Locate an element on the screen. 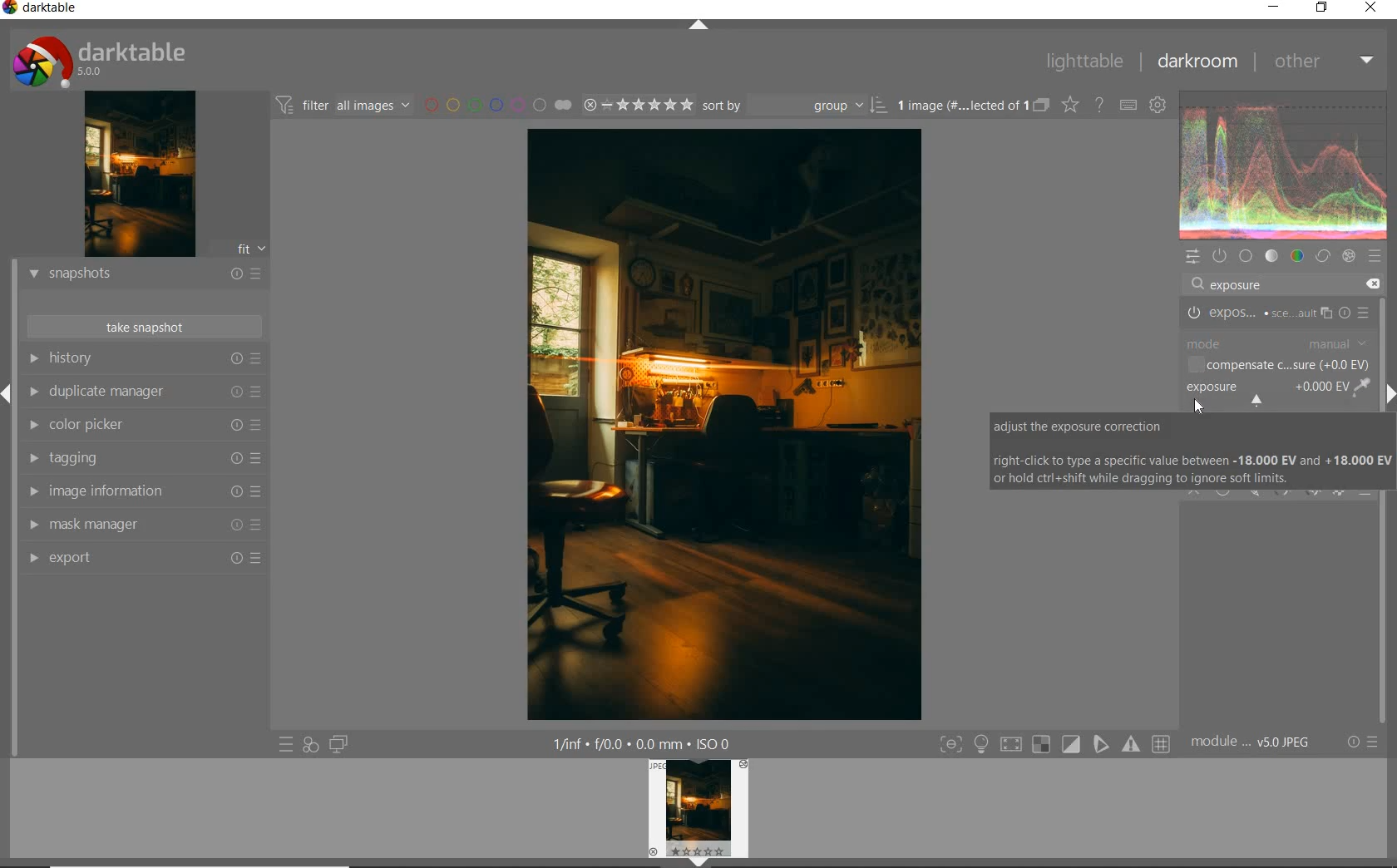 The width and height of the screenshot is (1397, 868). delete is located at coordinates (1372, 284).